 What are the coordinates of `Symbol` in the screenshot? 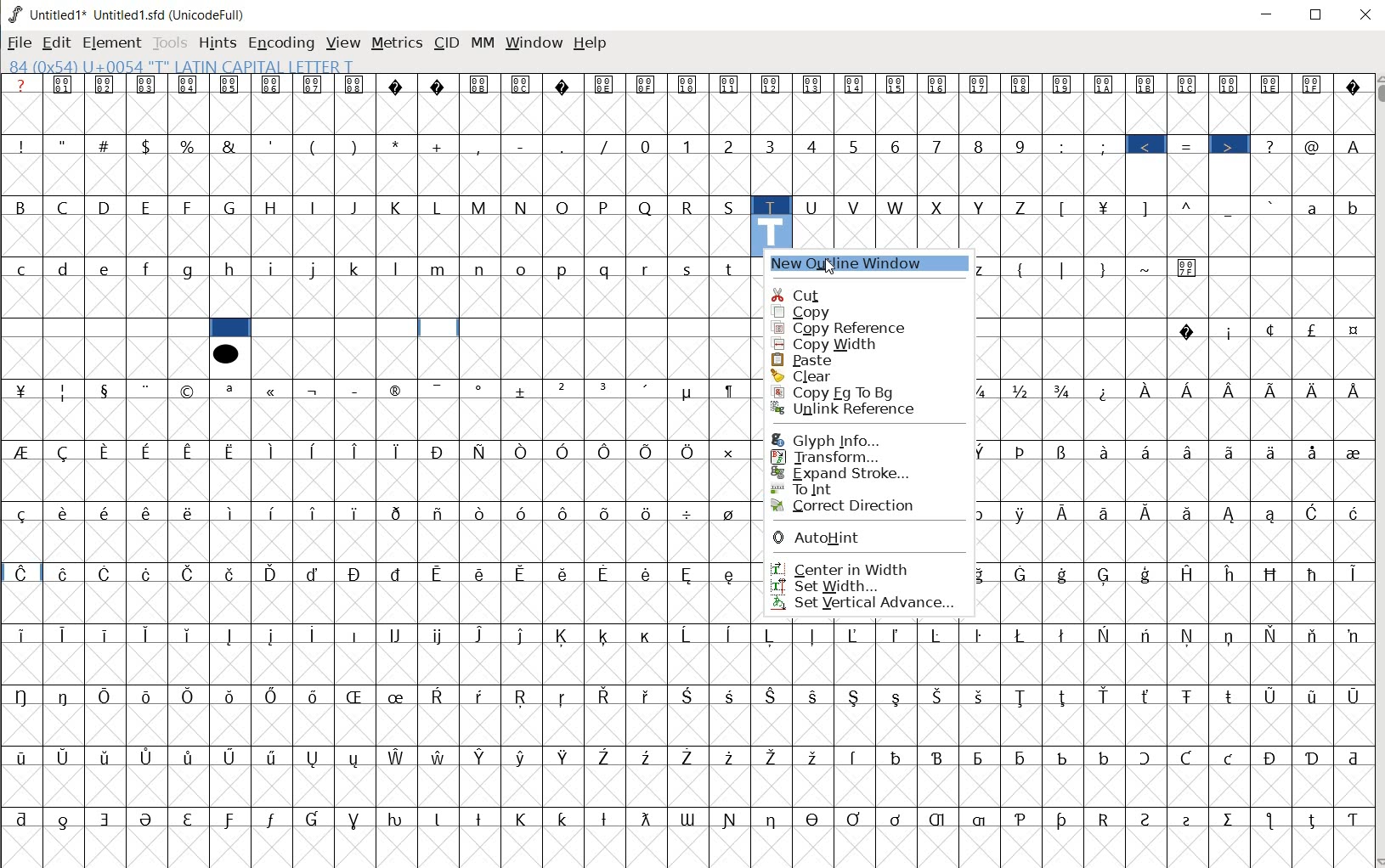 It's located at (565, 84).